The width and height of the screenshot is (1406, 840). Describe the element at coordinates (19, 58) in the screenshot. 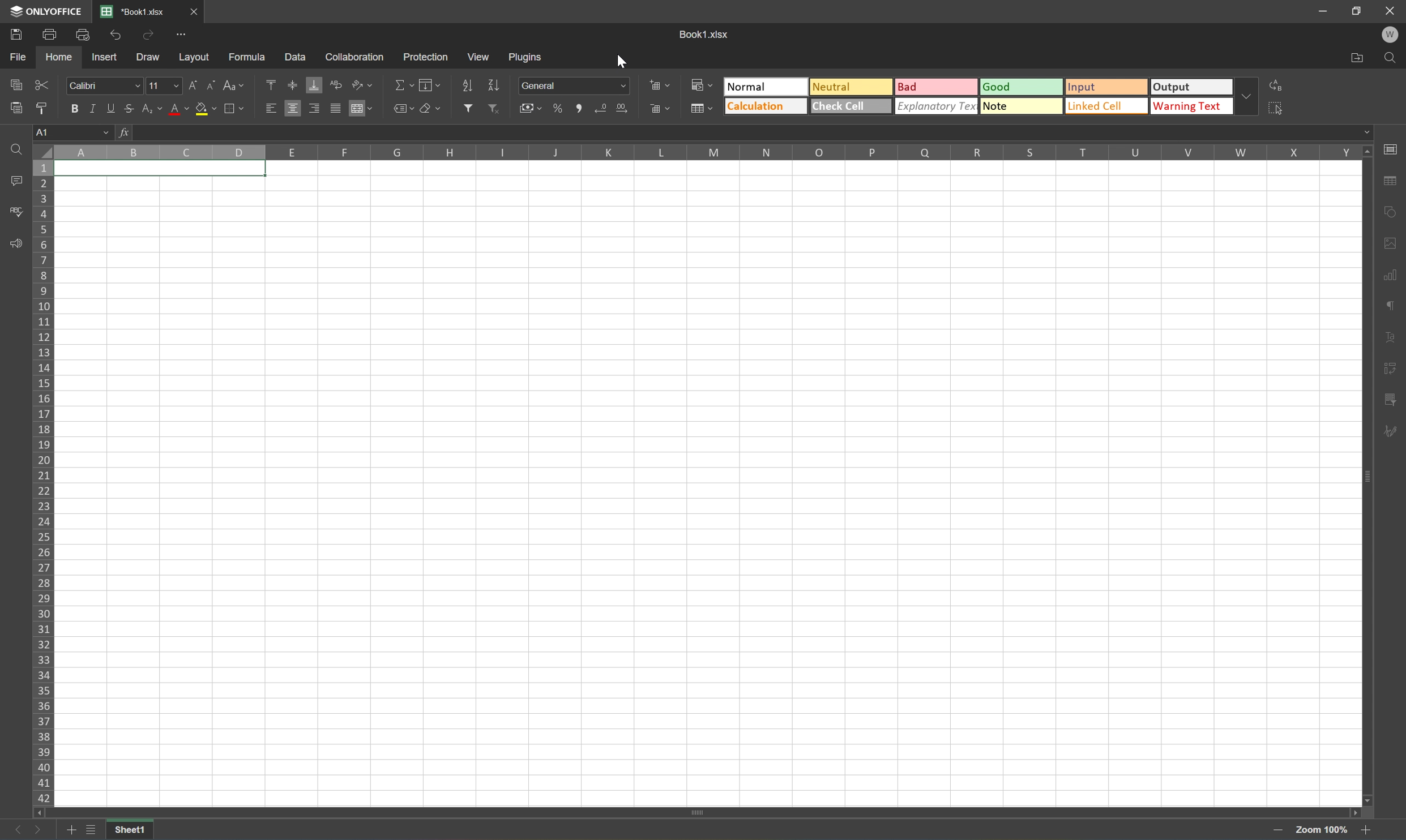

I see `File` at that location.